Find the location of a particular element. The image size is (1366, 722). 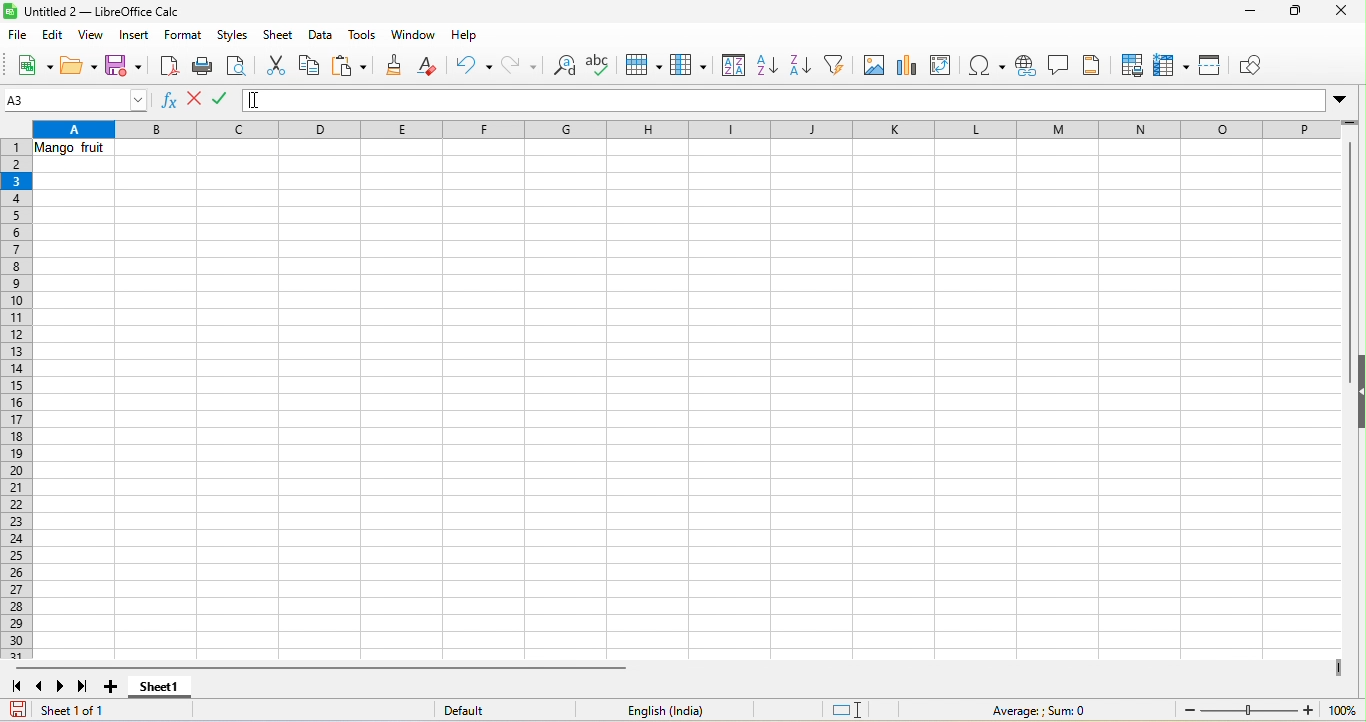

untitled 2- libreoffice calc is located at coordinates (98, 11).